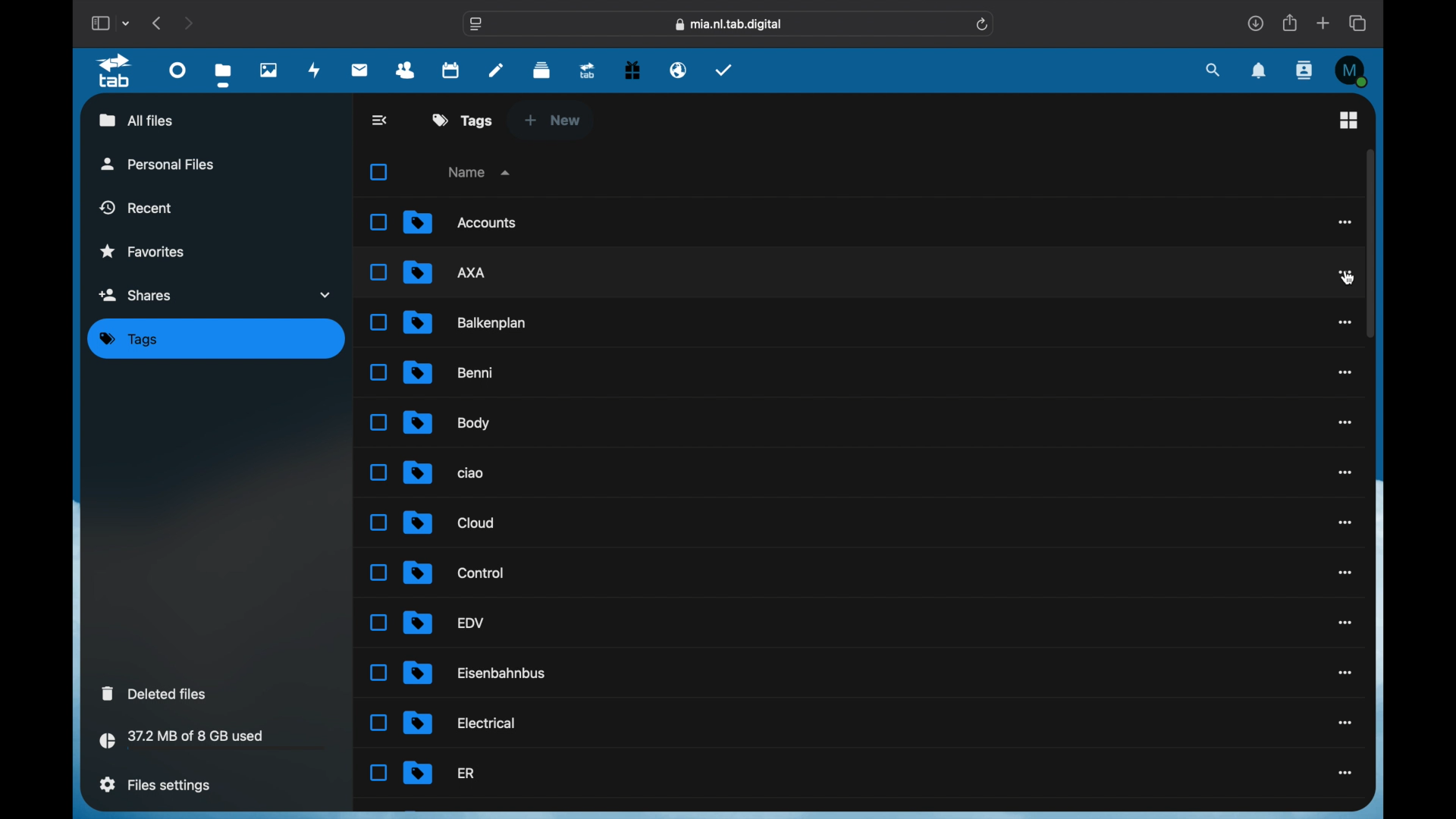 Image resolution: width=1456 pixels, height=819 pixels. Describe the element at coordinates (269, 69) in the screenshot. I see `photos` at that location.